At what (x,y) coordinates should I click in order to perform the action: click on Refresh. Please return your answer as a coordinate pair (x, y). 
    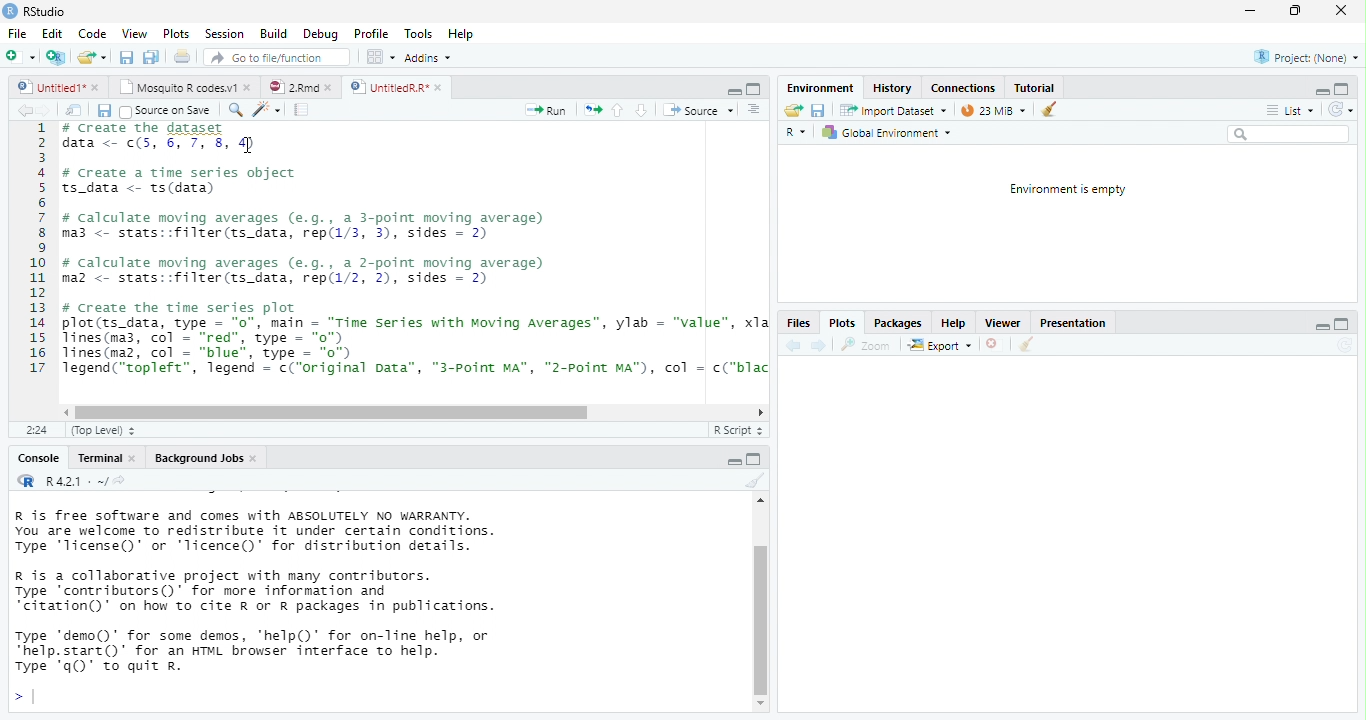
    Looking at the image, I should click on (1345, 345).